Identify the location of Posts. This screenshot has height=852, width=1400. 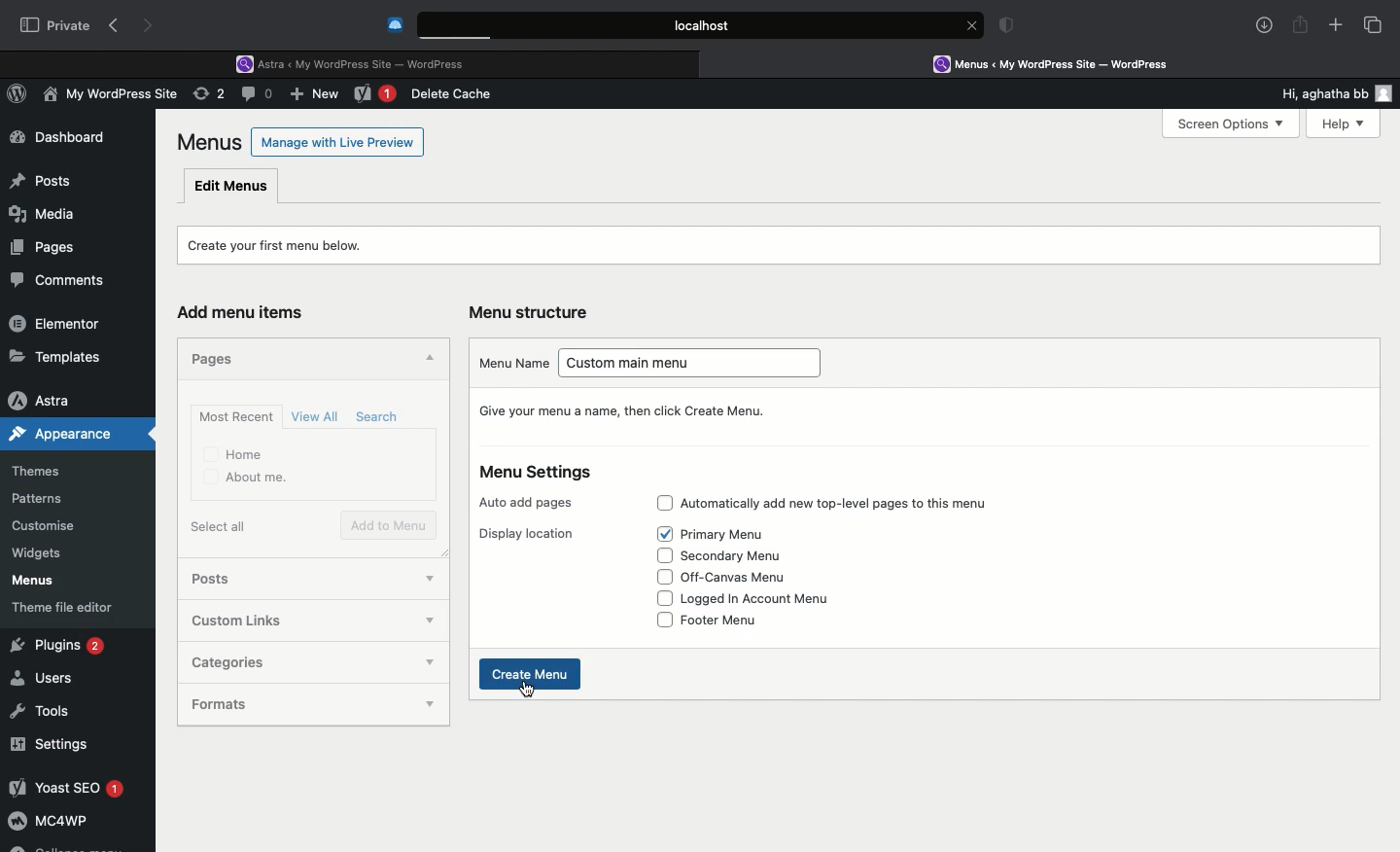
(40, 176).